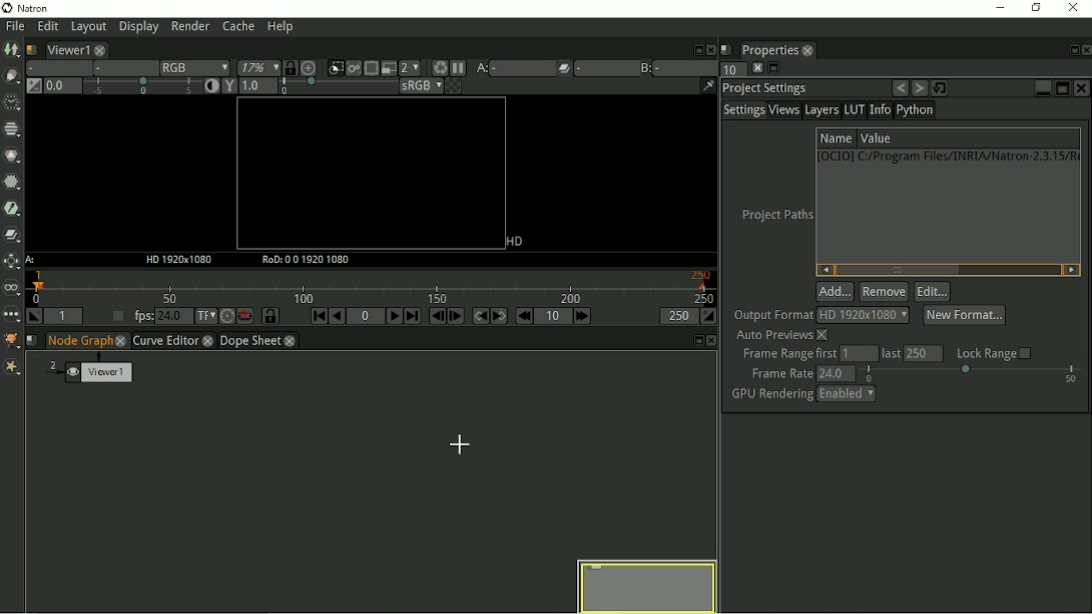  I want to click on Image, so click(12, 50).